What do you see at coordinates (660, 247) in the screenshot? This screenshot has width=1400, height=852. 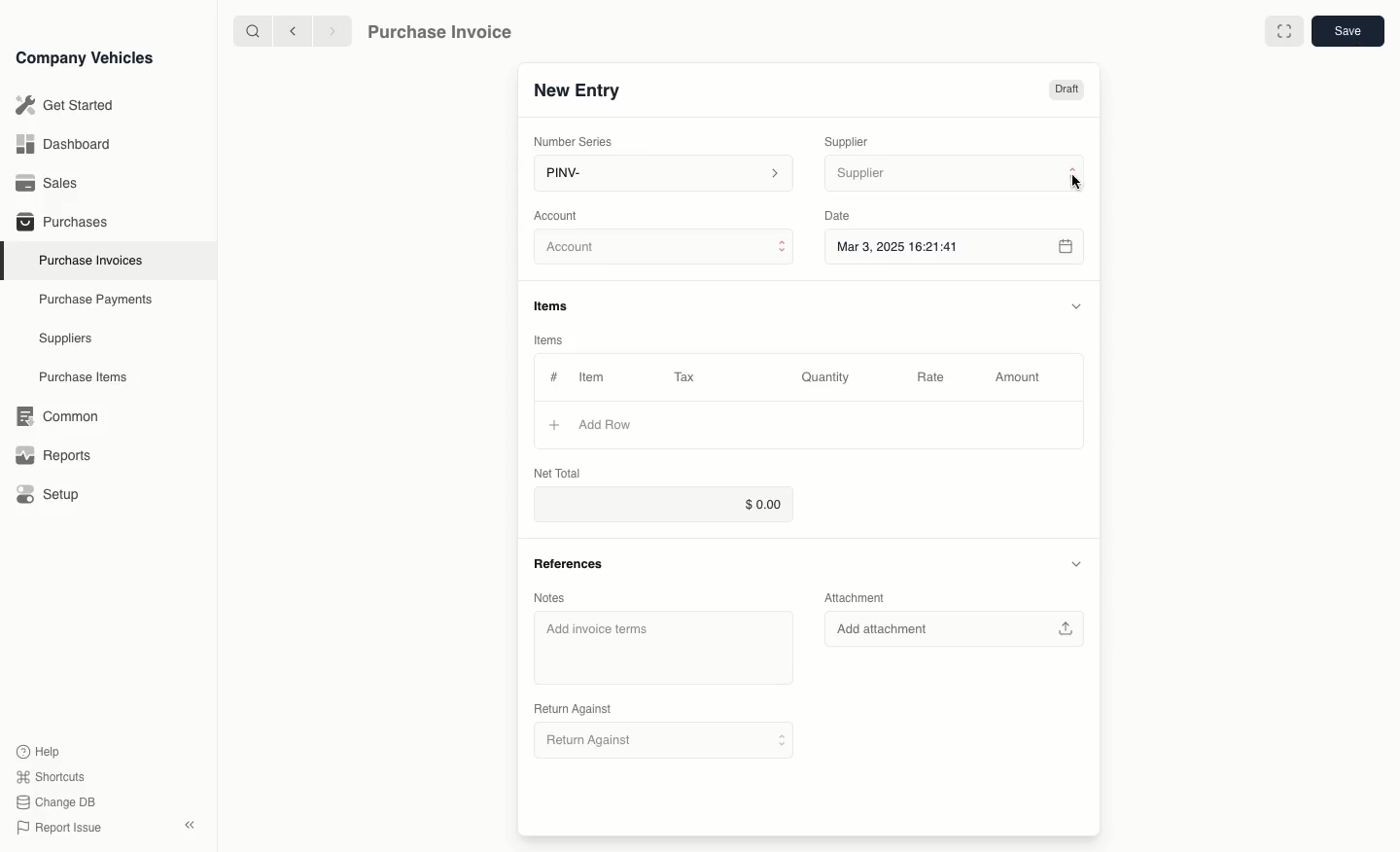 I see `Account` at bounding box center [660, 247].